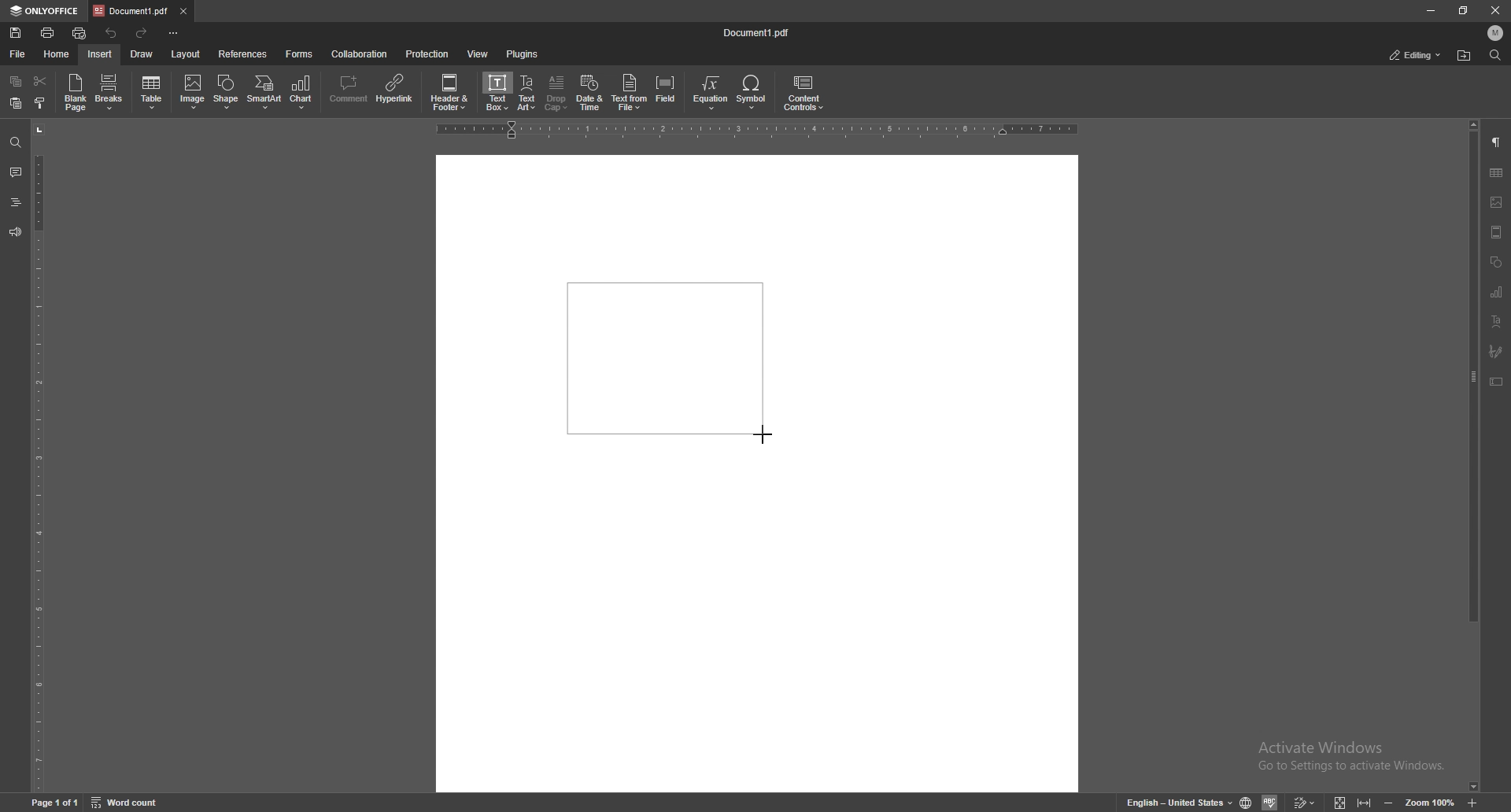 The height and width of the screenshot is (812, 1511). I want to click on vertical scale, so click(38, 457).